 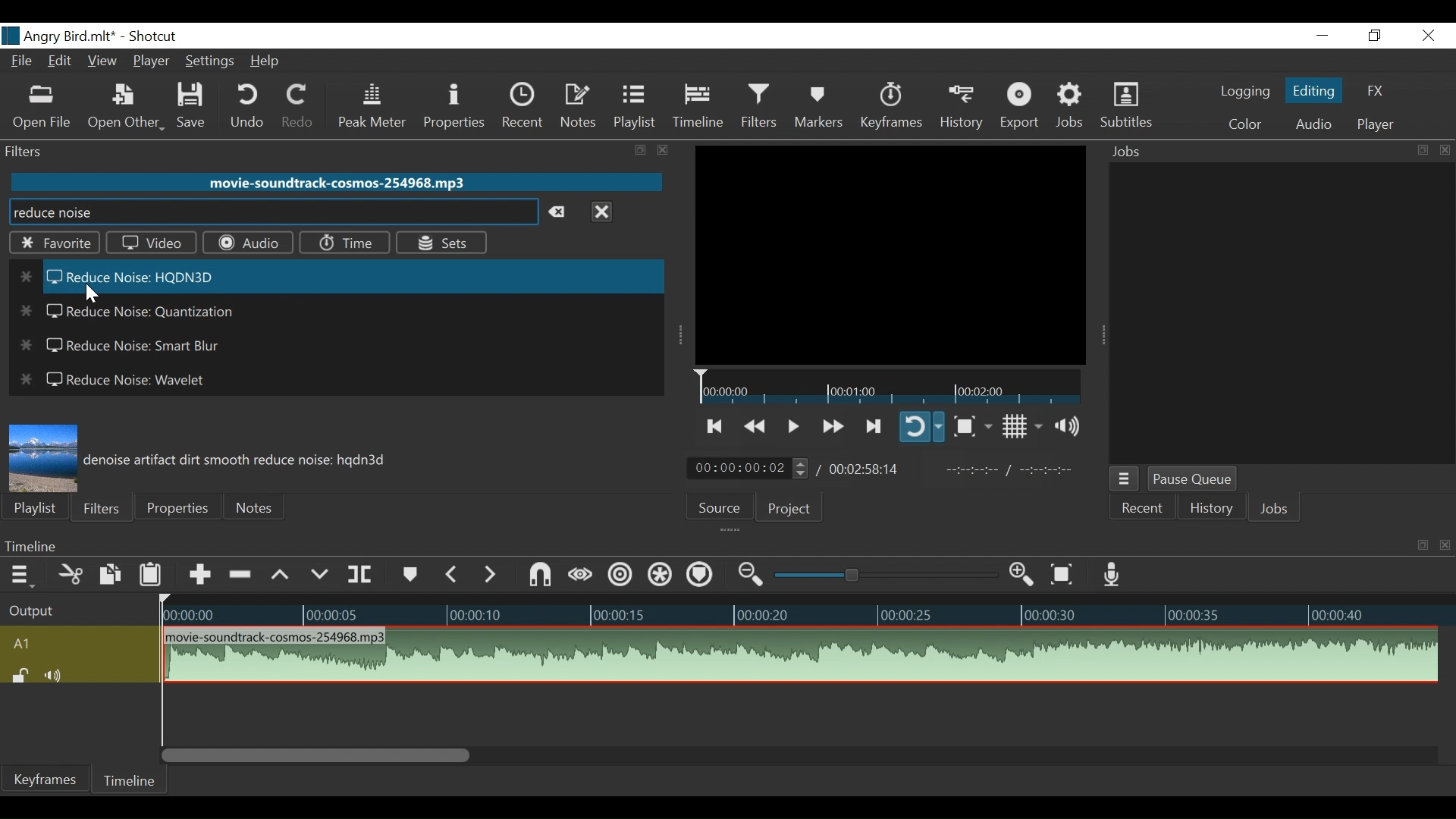 I want to click on Player, so click(x=149, y=63).